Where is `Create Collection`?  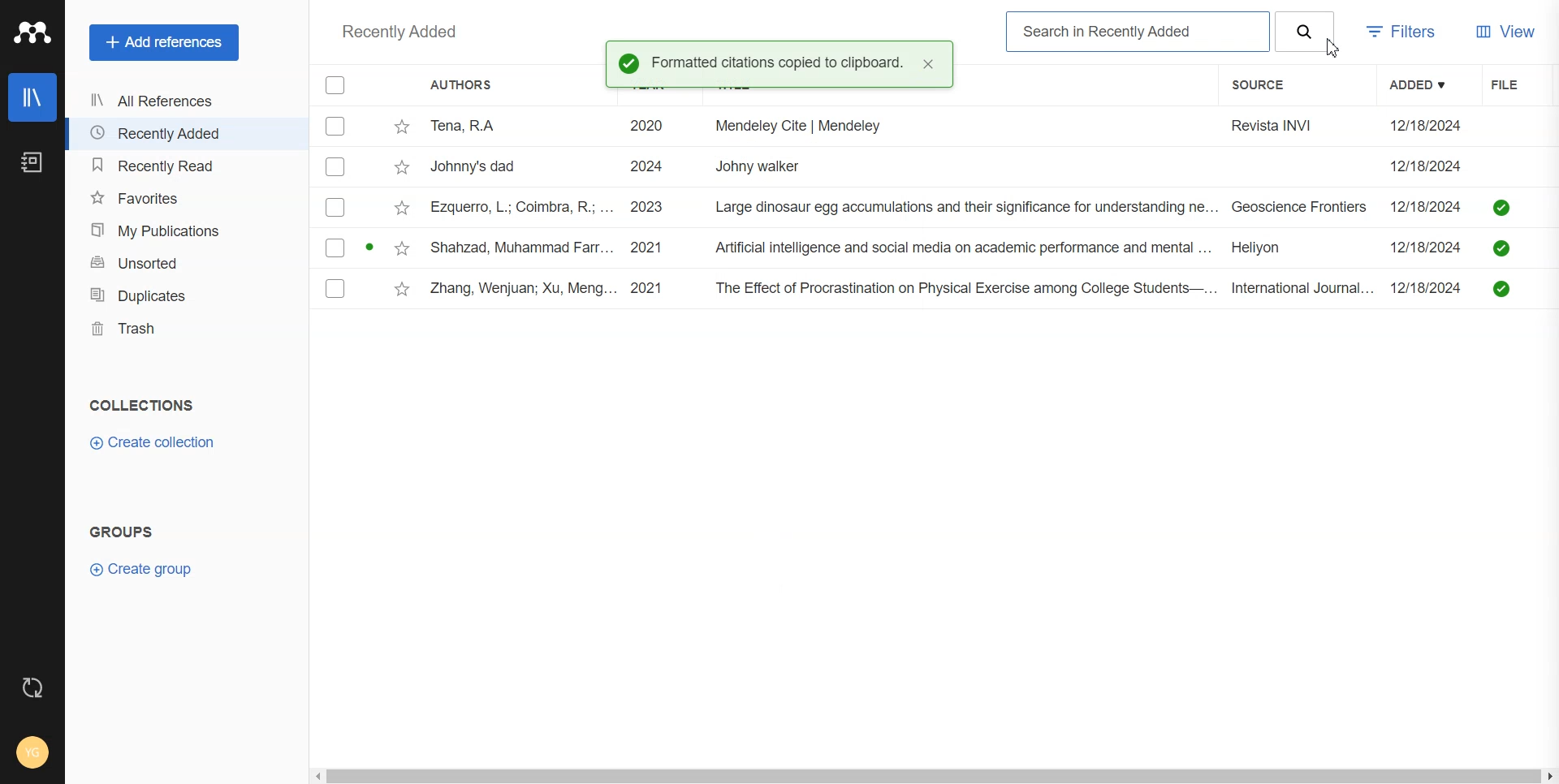
Create Collection is located at coordinates (153, 443).